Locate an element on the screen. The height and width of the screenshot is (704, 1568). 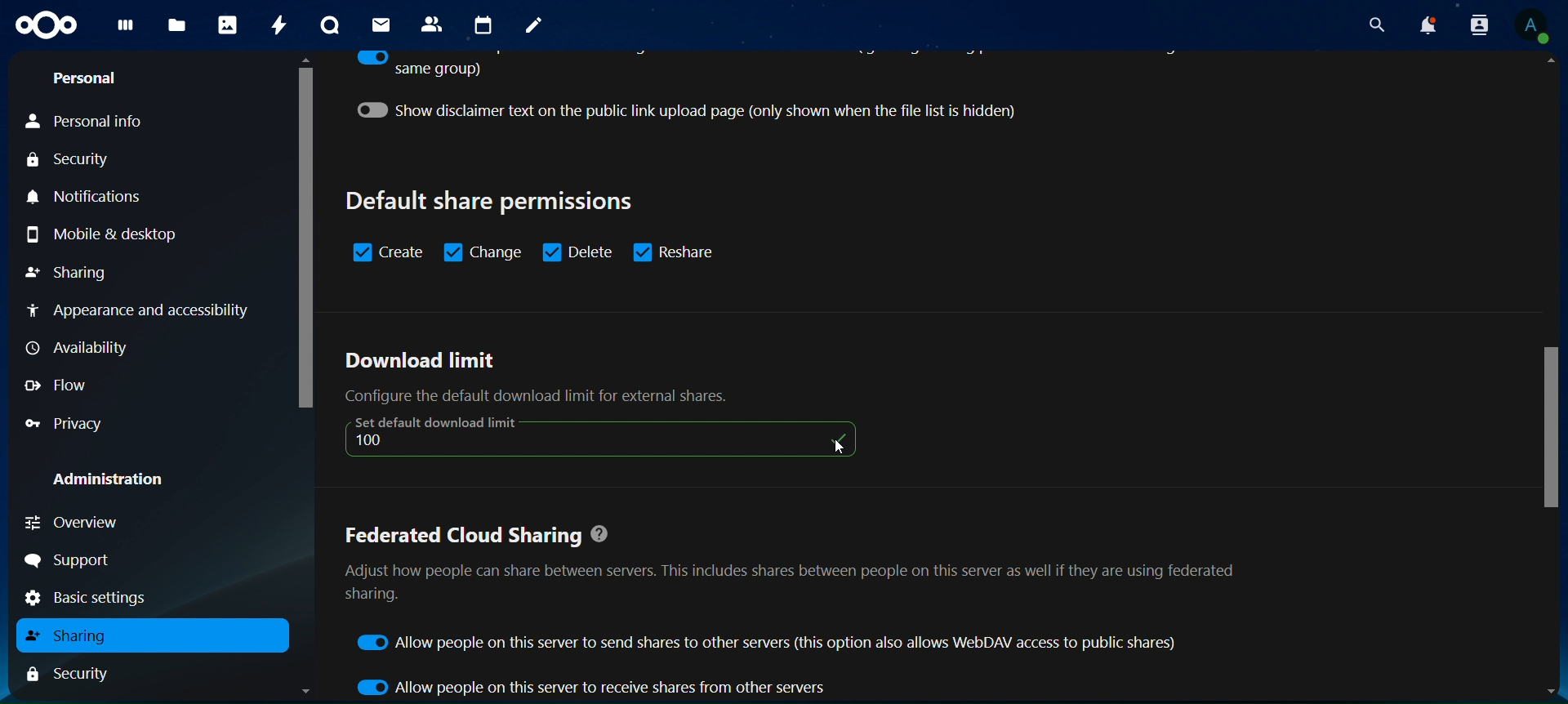
Configure the default download limit is located at coordinates (556, 396).